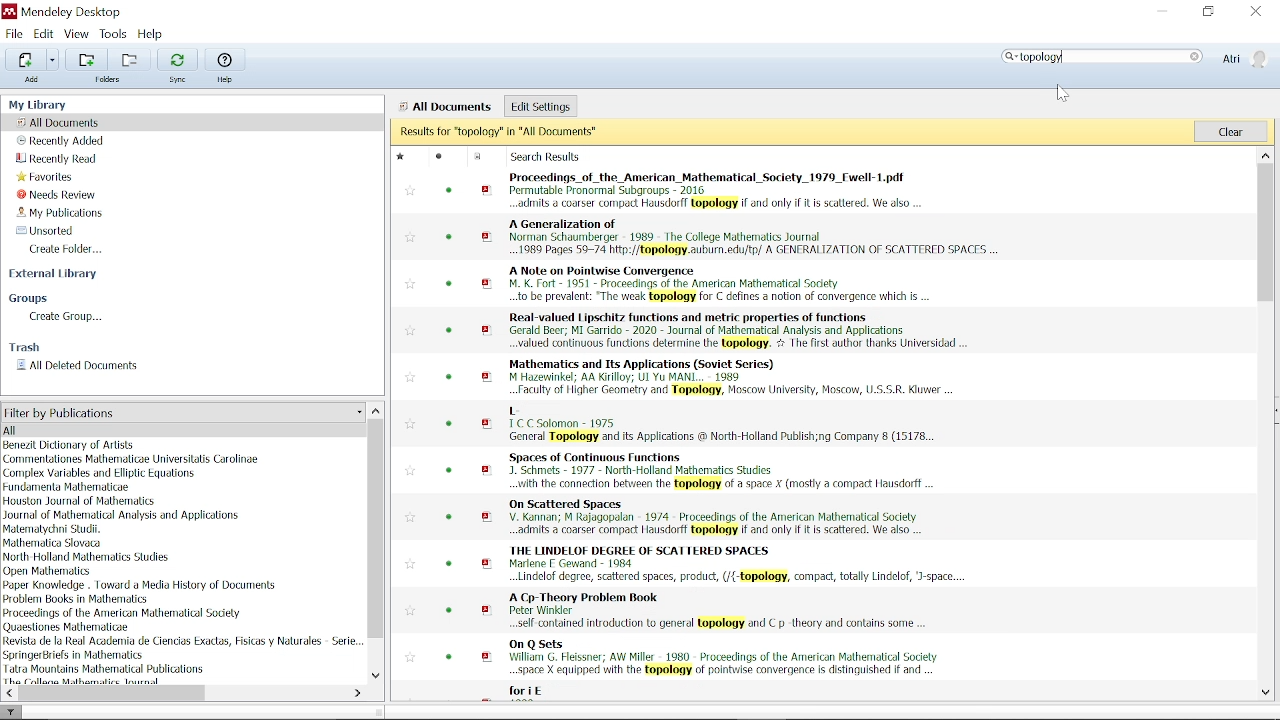 This screenshot has height=720, width=1280. I want to click on author, so click(78, 599).